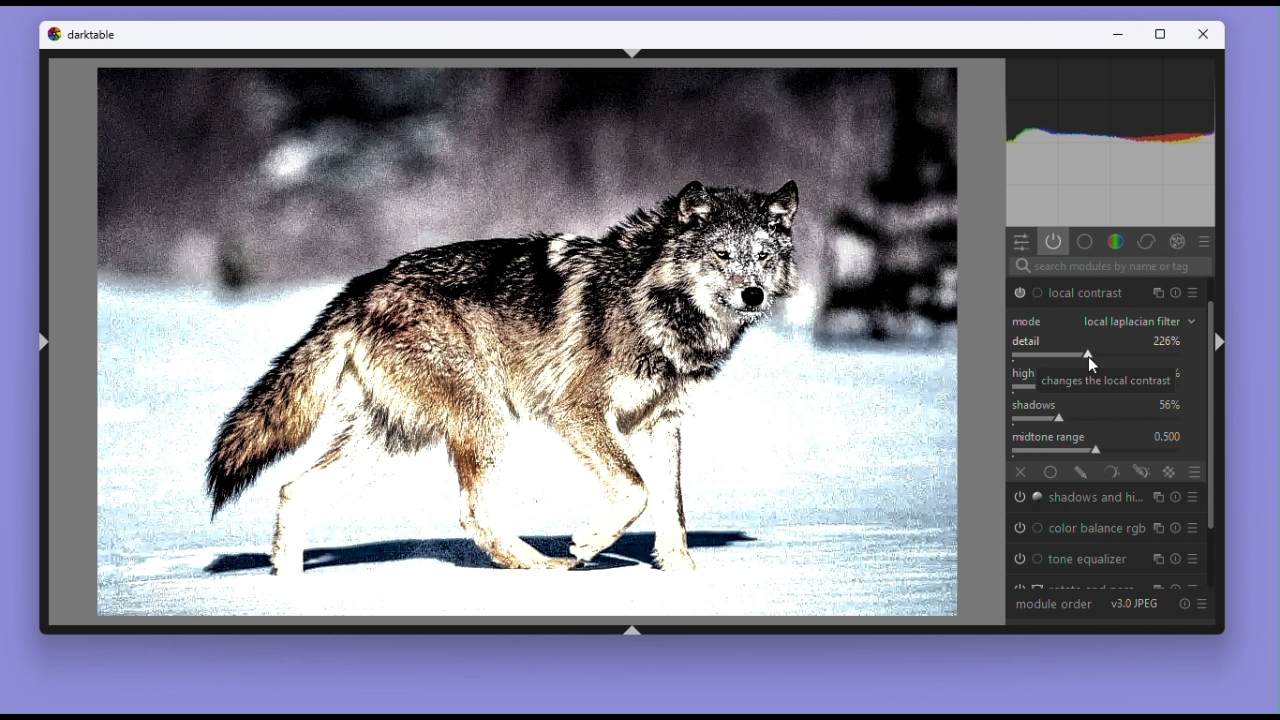 This screenshot has width=1280, height=720. What do you see at coordinates (1171, 471) in the screenshot?
I see `raster mask` at bounding box center [1171, 471].